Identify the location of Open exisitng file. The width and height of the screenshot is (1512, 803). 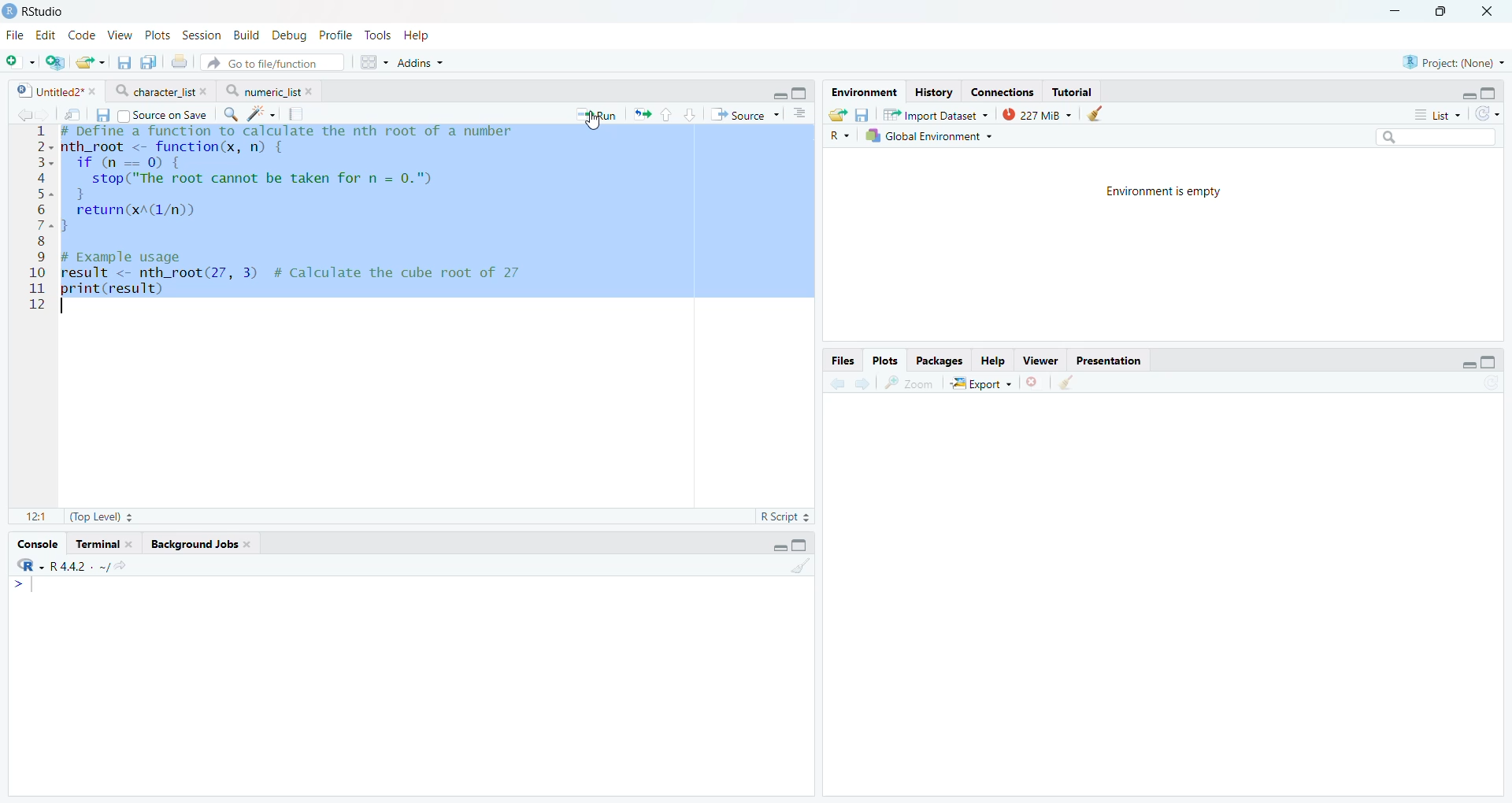
(90, 62).